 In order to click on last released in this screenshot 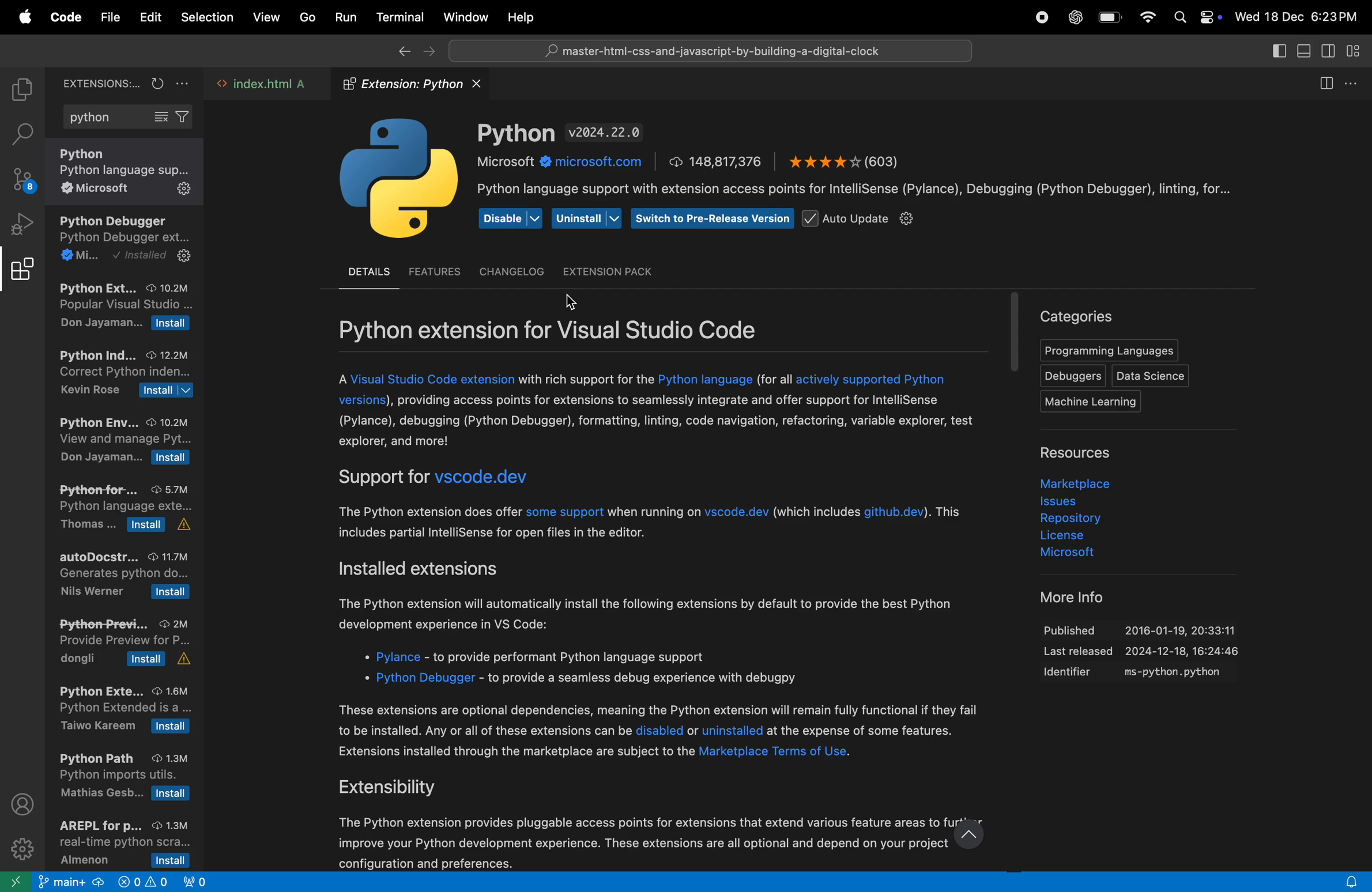, I will do `click(1146, 653)`.